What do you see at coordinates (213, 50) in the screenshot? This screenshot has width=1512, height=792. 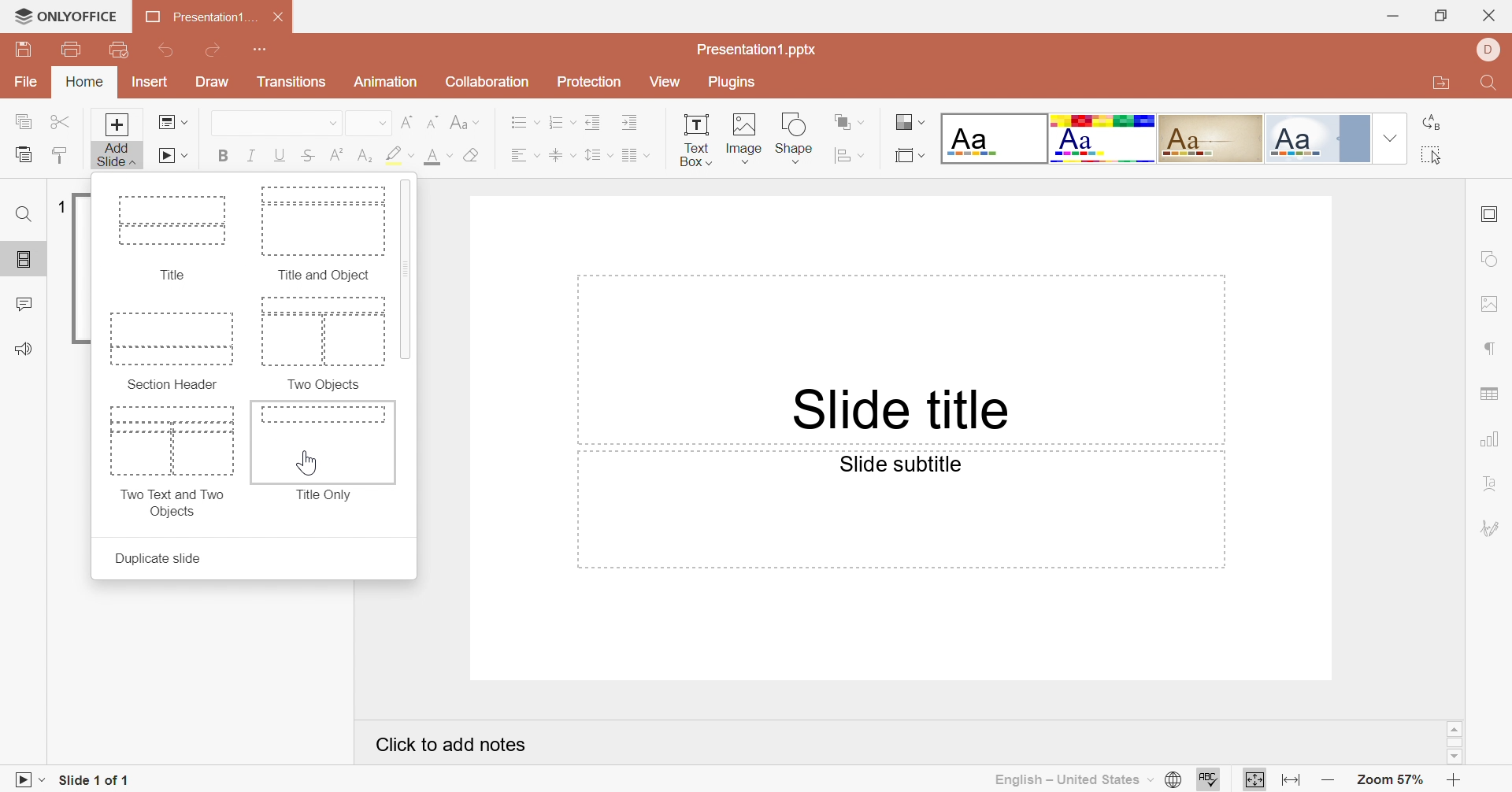 I see `Redo` at bounding box center [213, 50].